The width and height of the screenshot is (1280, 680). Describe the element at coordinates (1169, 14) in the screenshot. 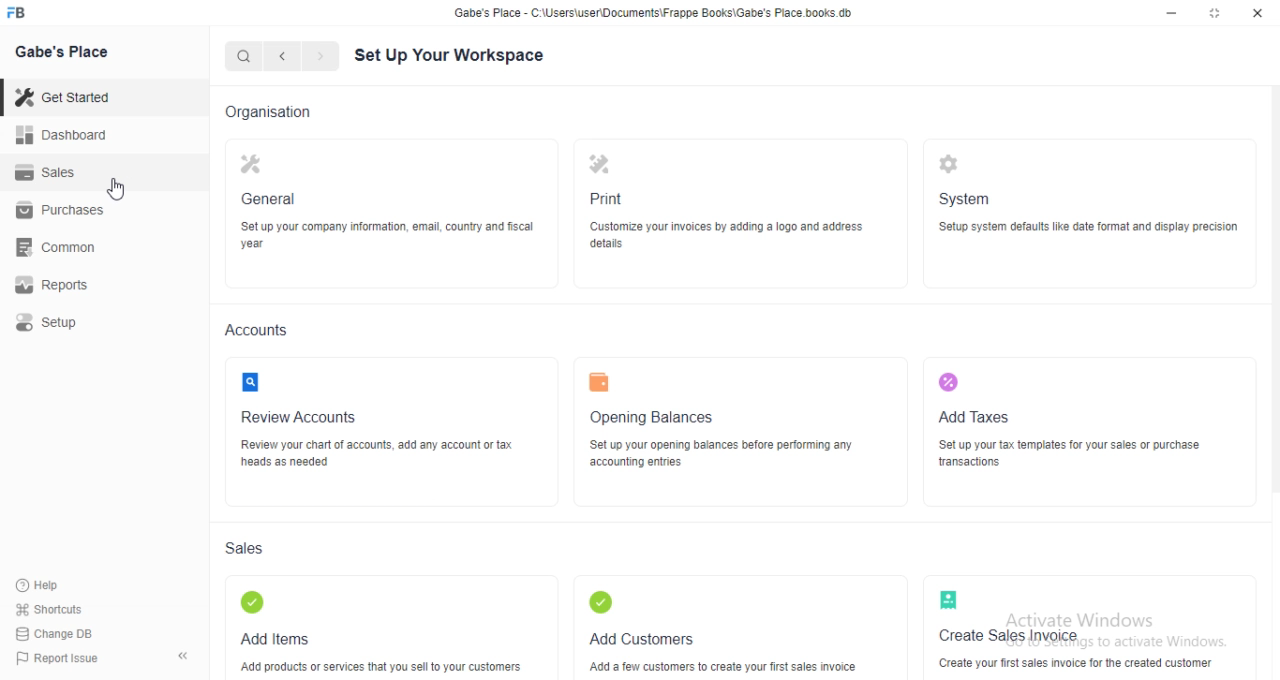

I see `Minimize` at that location.